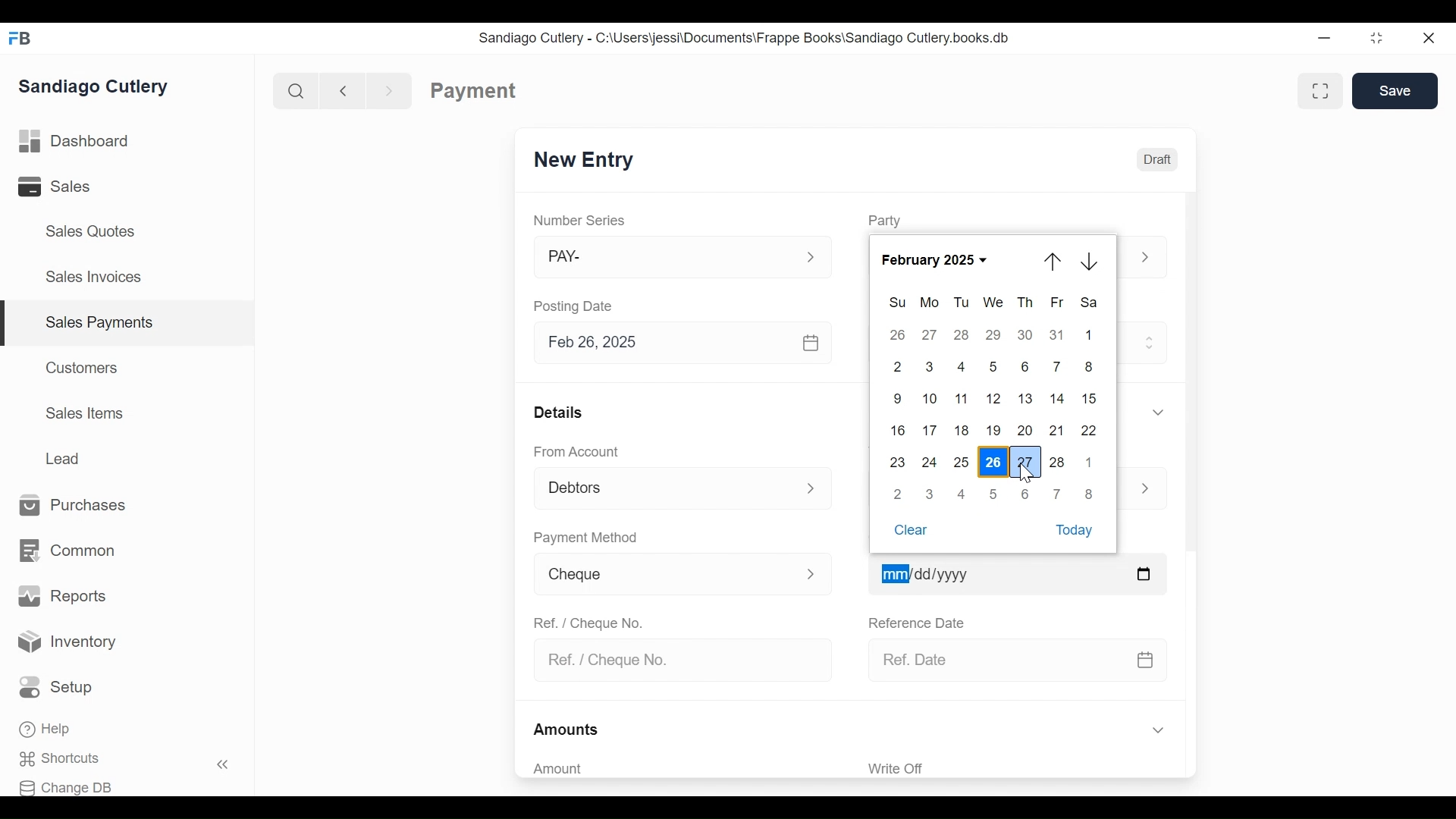 This screenshot has height=819, width=1456. What do you see at coordinates (1058, 366) in the screenshot?
I see `7` at bounding box center [1058, 366].